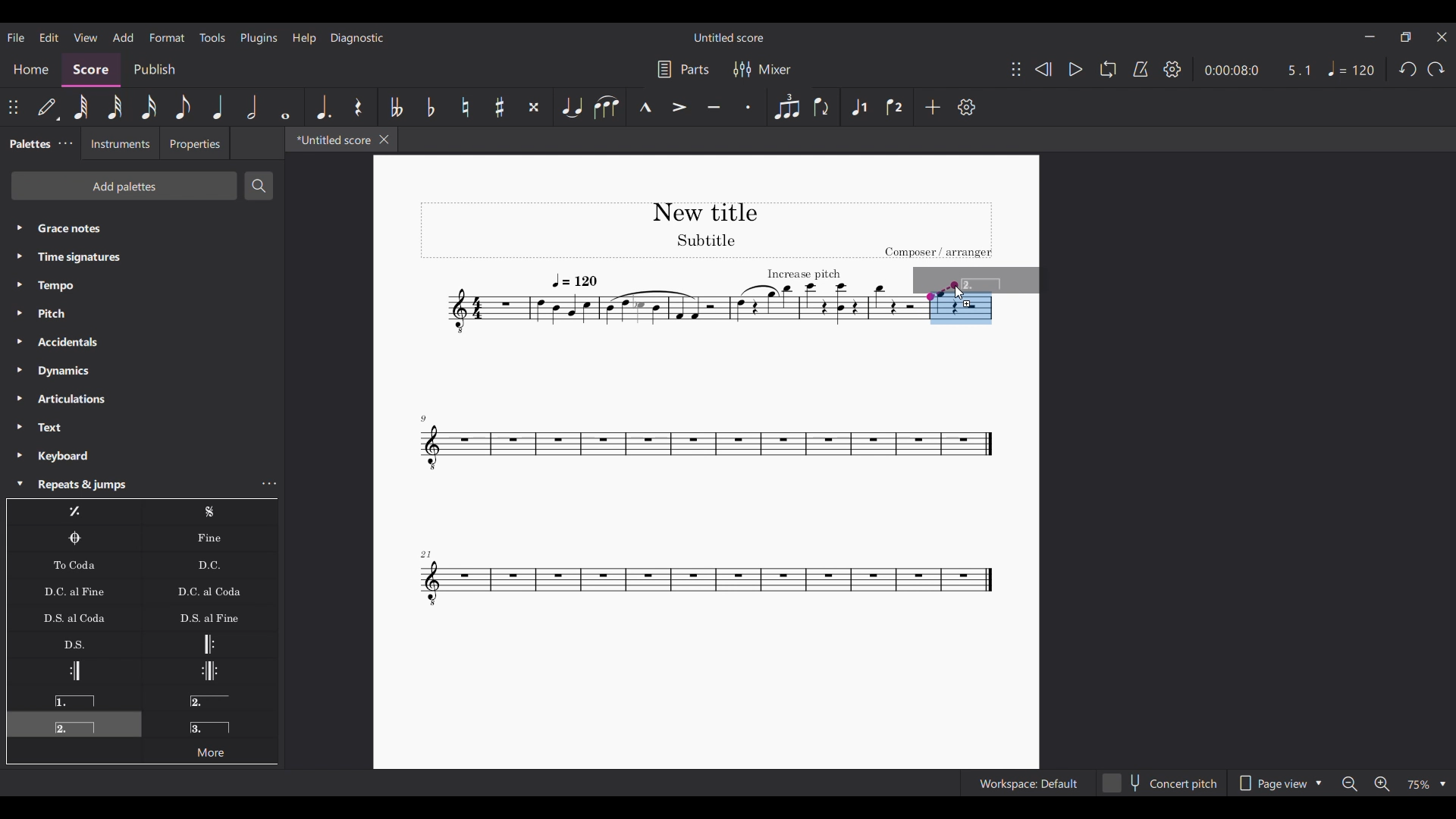 The height and width of the screenshot is (819, 1456). What do you see at coordinates (1298, 71) in the screenshot?
I see `Current ratio` at bounding box center [1298, 71].